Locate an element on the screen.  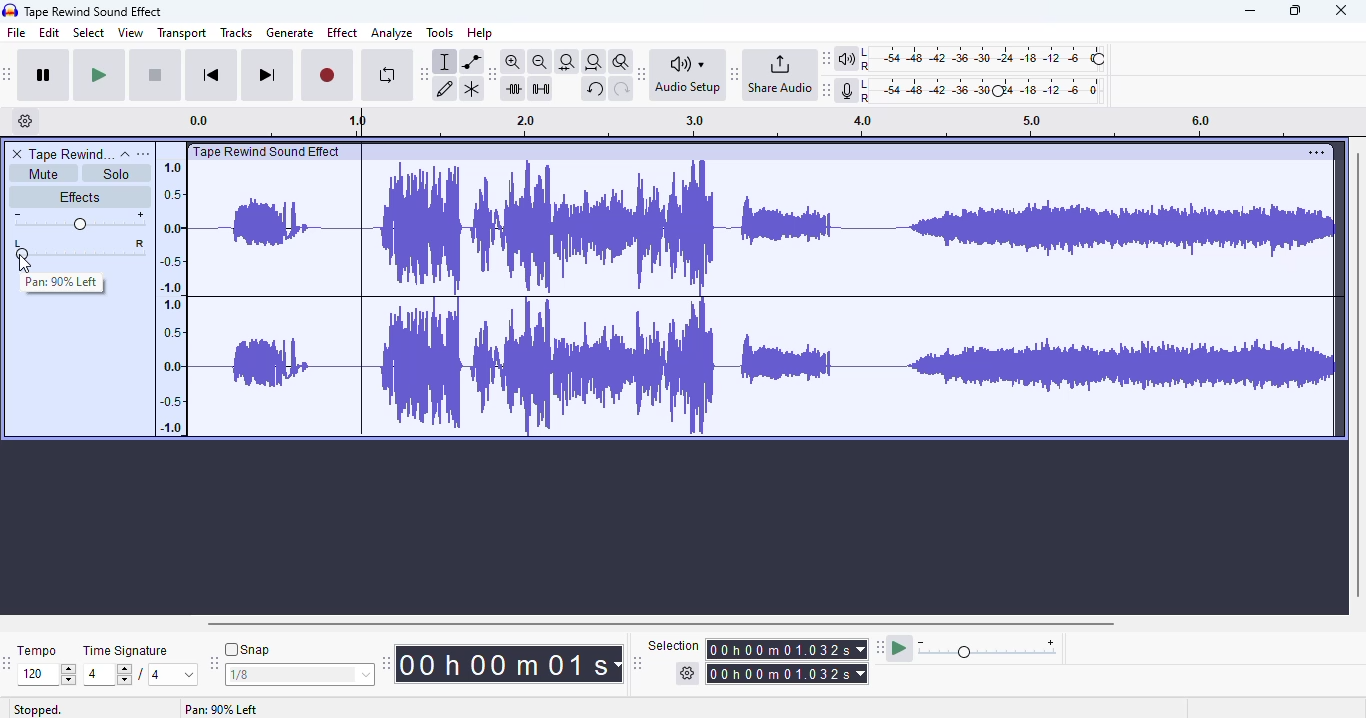
timeline is located at coordinates (749, 124).